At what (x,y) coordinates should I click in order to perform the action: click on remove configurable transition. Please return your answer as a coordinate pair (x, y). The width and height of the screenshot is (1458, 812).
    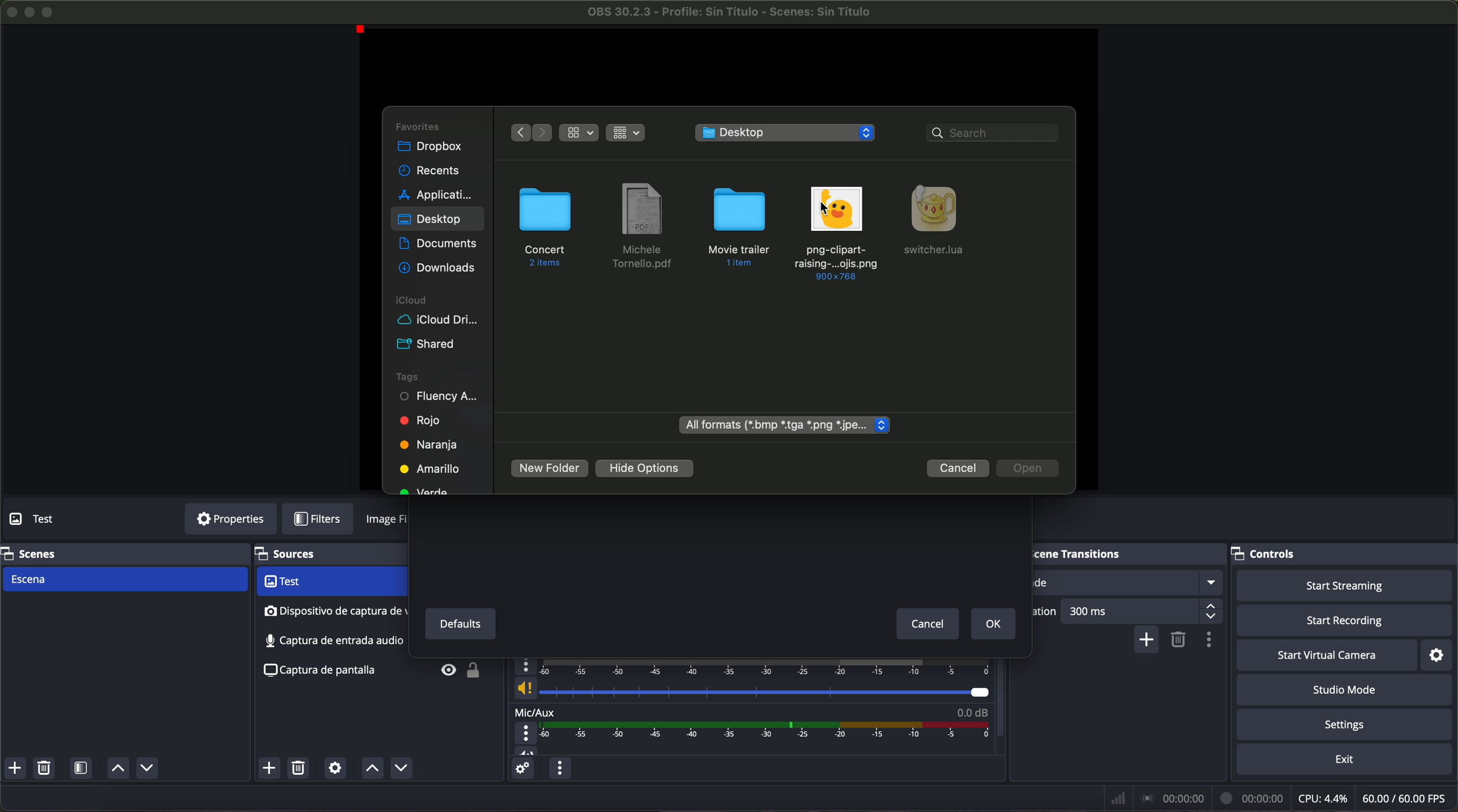
    Looking at the image, I should click on (1180, 641).